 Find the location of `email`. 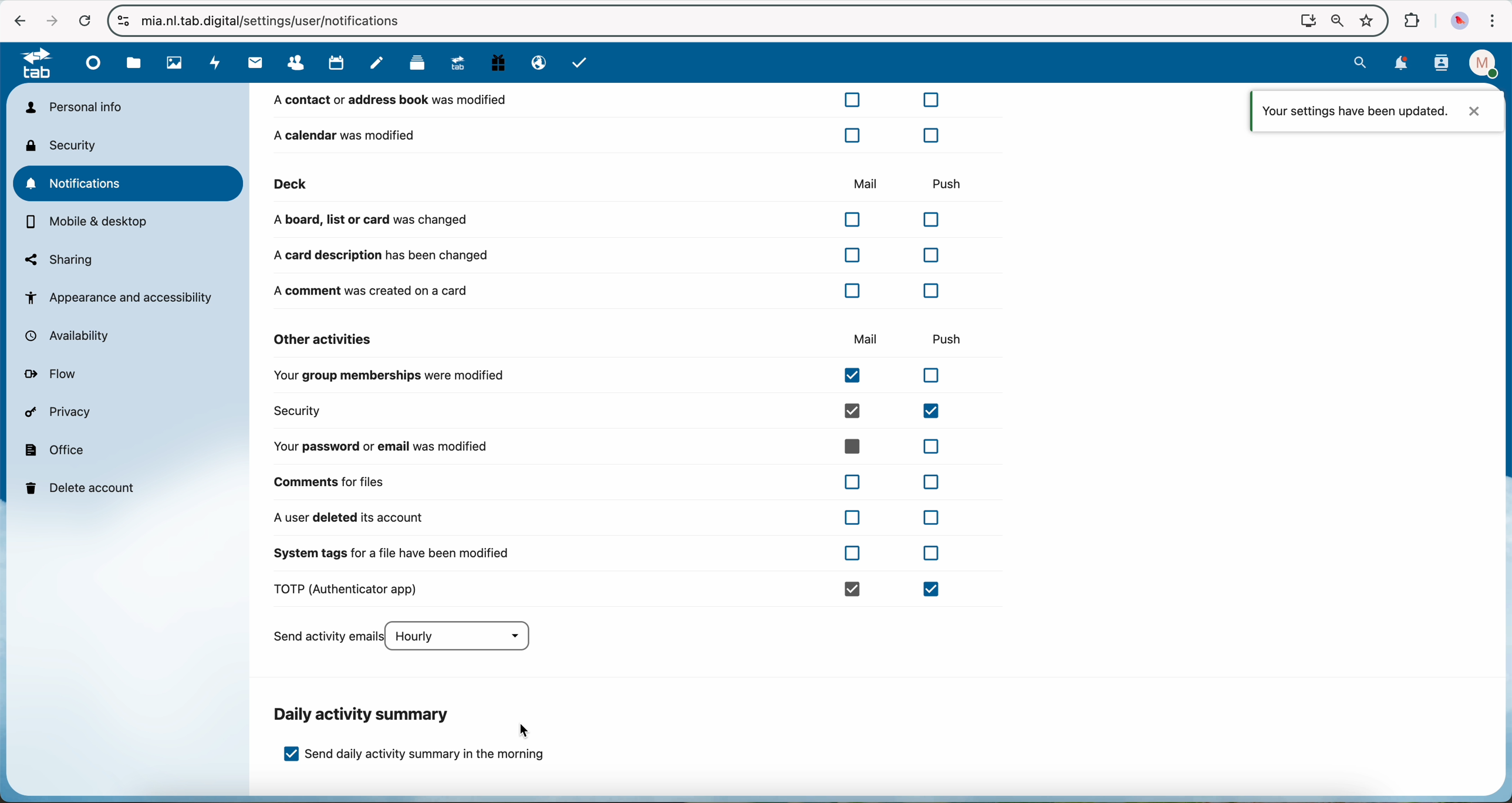

email is located at coordinates (536, 63).